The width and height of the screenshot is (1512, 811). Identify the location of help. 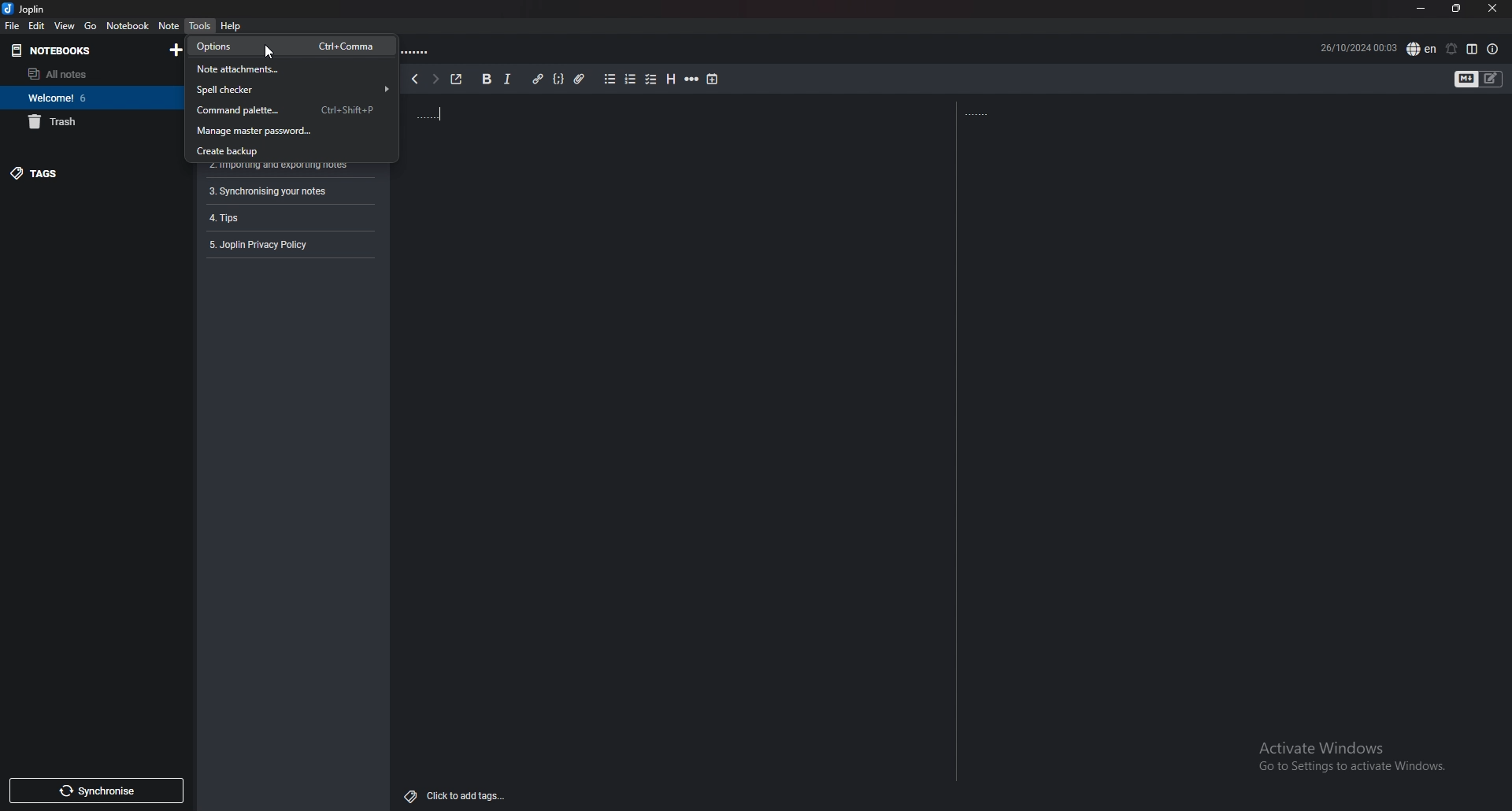
(231, 26).